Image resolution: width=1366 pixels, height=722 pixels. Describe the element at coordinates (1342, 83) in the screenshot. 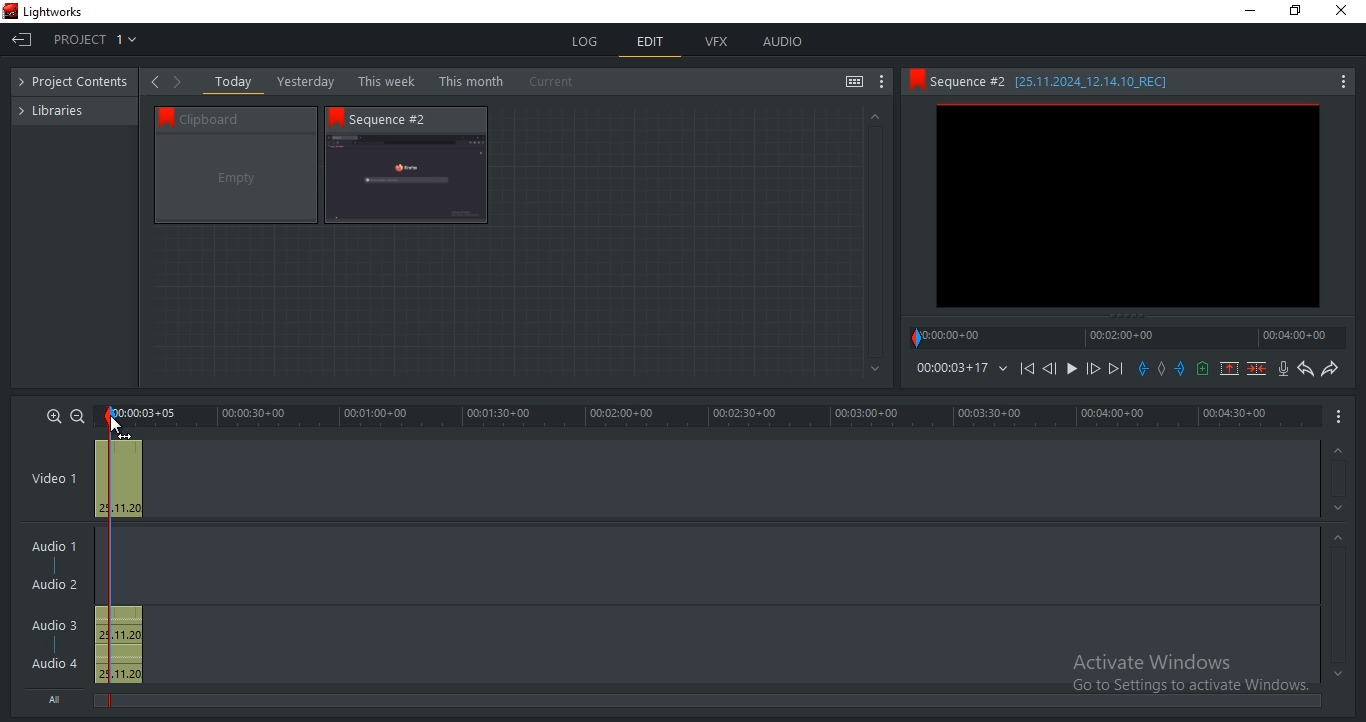

I see `Show settings menu` at that location.